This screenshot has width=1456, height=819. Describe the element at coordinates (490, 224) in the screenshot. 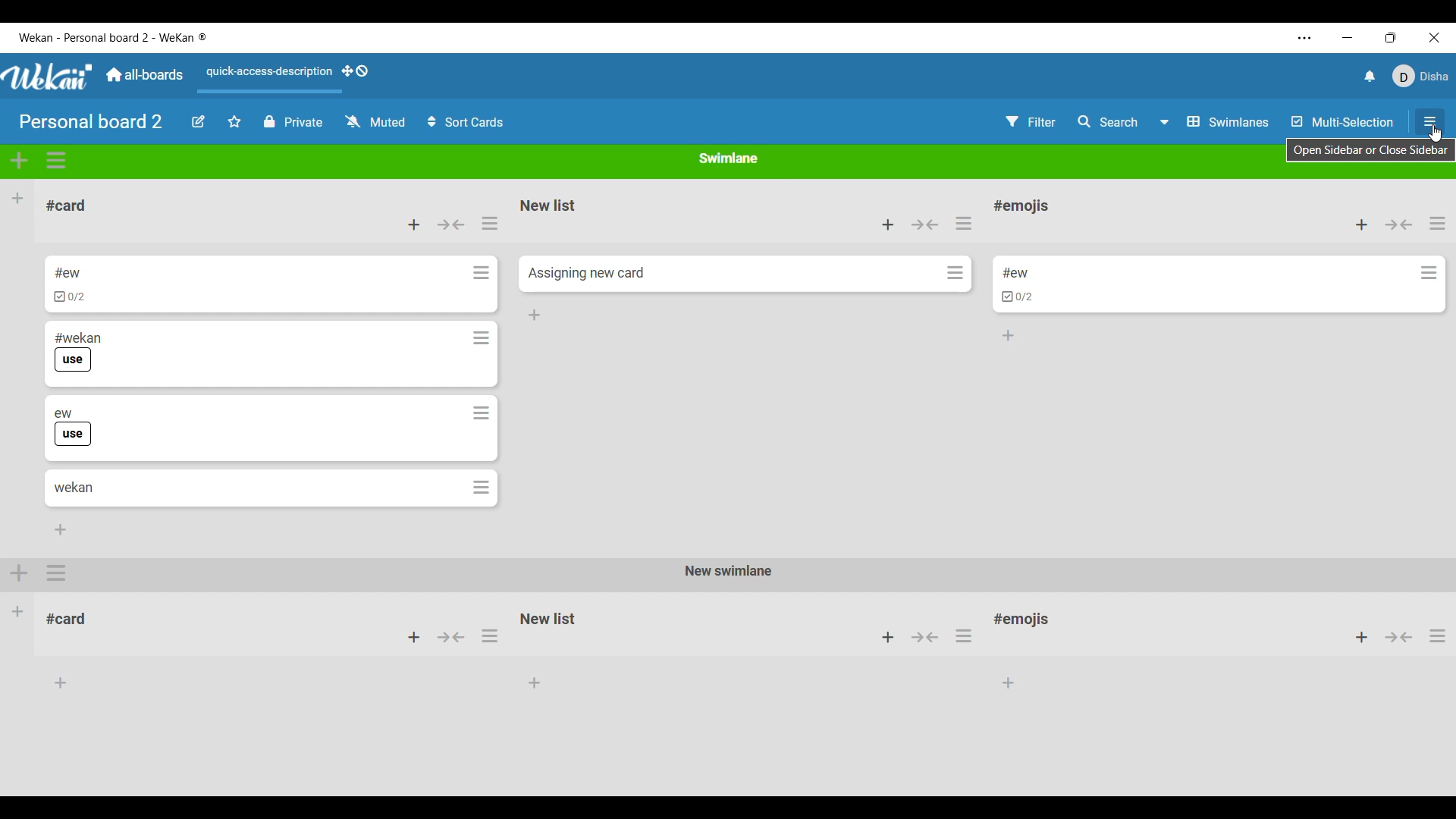

I see `List actions` at that location.